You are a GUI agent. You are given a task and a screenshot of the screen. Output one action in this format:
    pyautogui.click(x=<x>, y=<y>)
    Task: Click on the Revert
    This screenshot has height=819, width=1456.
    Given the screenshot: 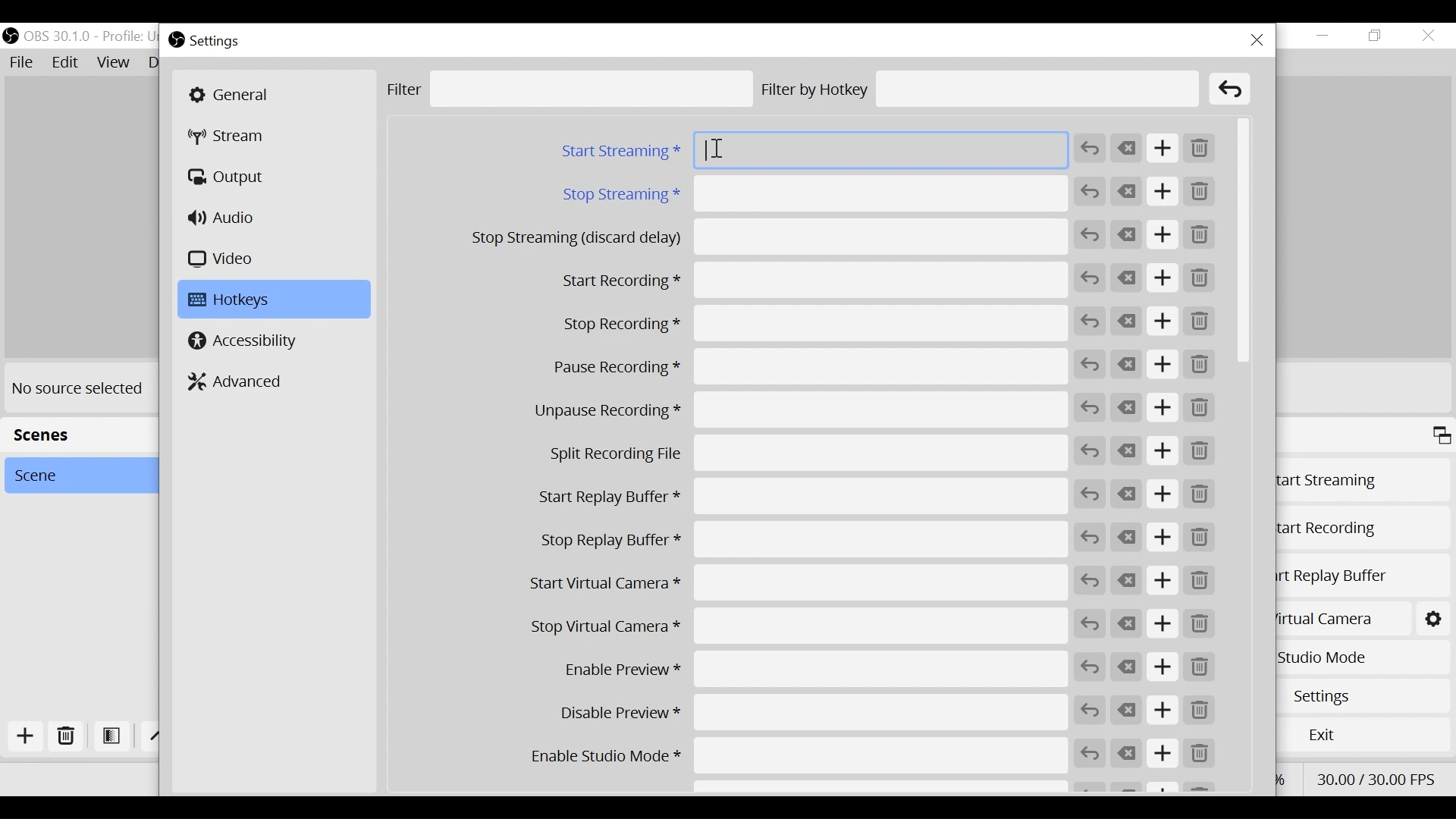 What is the action you would take?
    pyautogui.click(x=1090, y=624)
    